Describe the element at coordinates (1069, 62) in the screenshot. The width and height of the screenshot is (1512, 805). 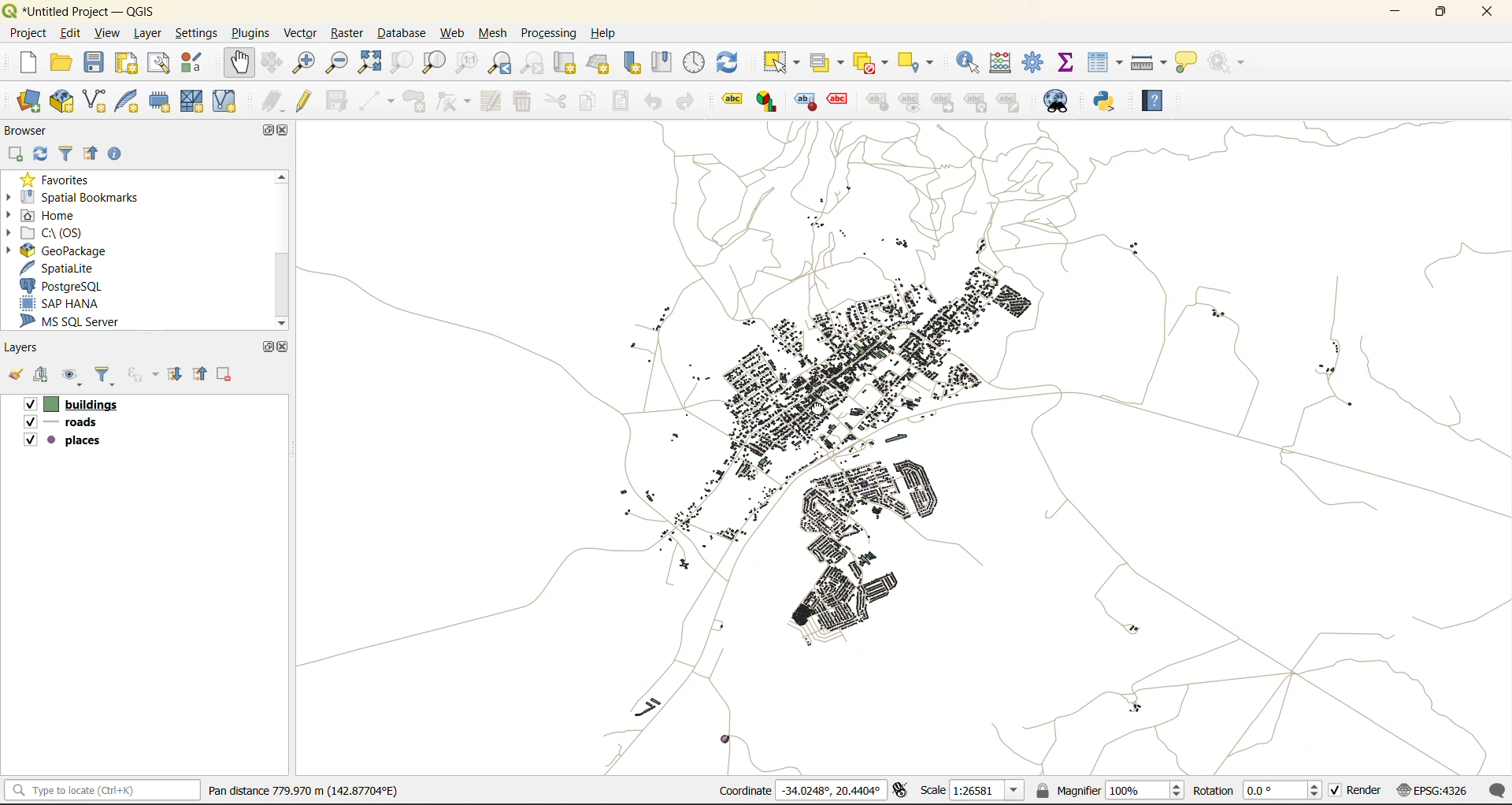
I see `statistical summary` at that location.